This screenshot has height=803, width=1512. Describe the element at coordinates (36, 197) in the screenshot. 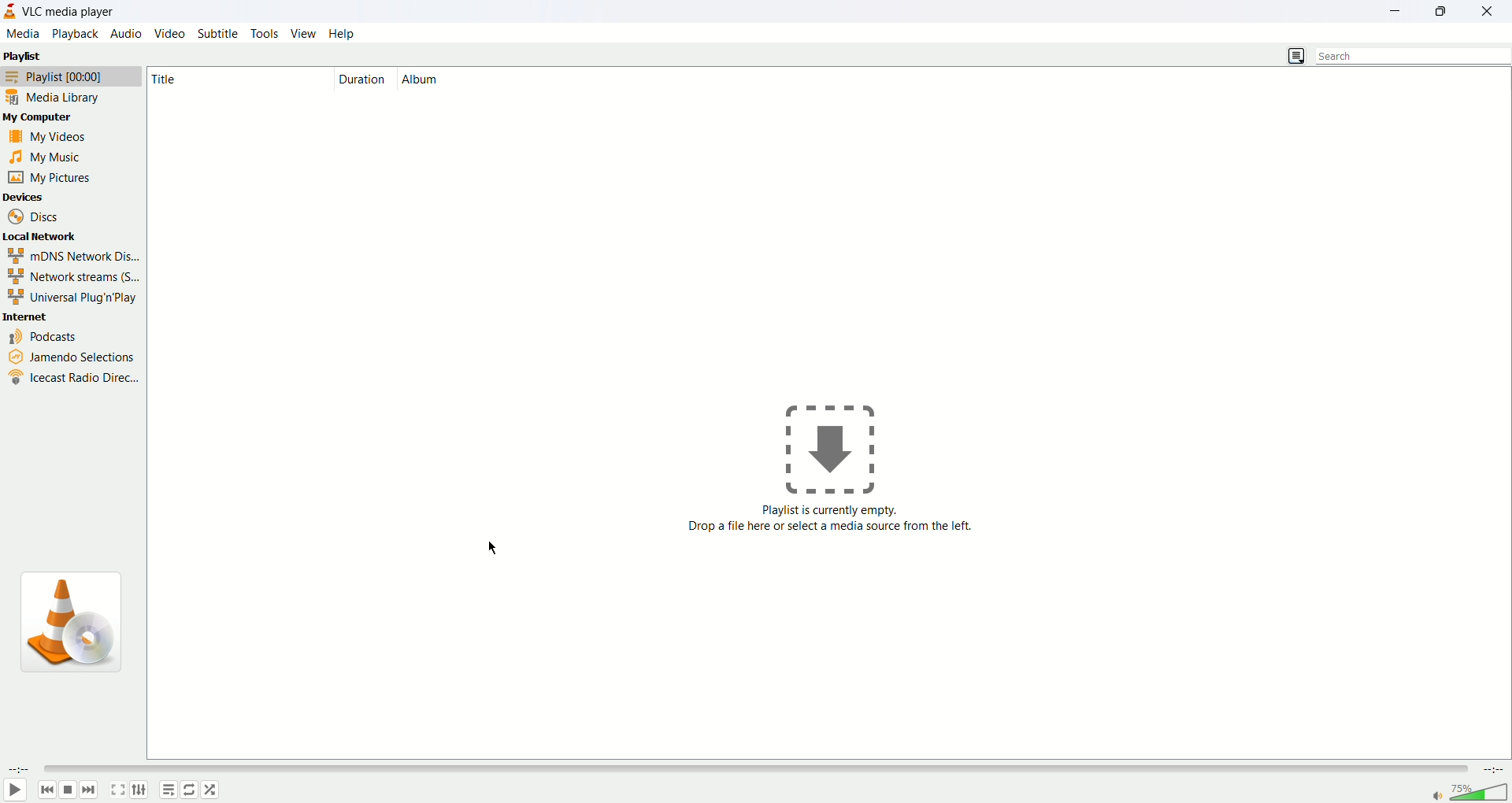

I see `devices` at that location.